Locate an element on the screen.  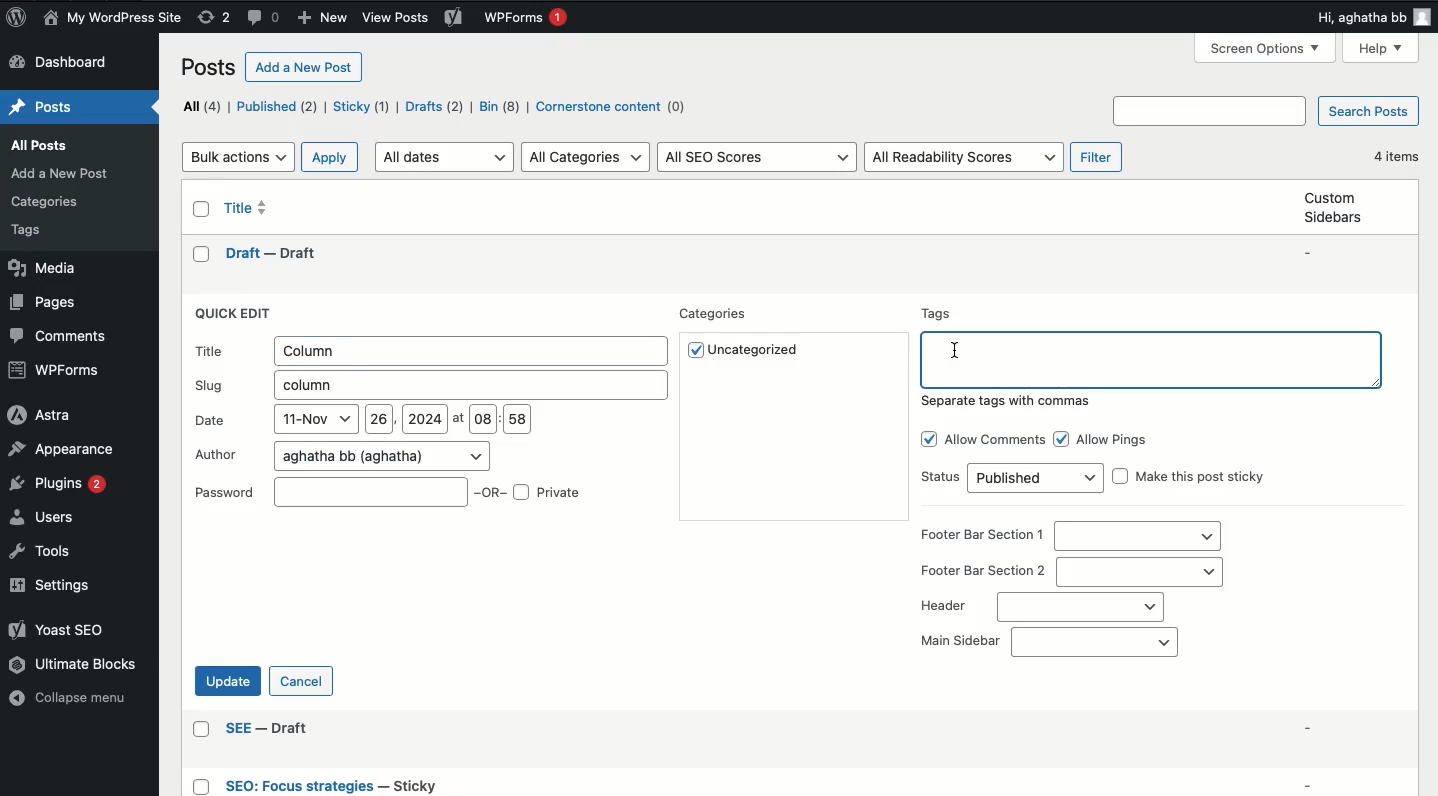
Search posts is located at coordinates (1367, 112).